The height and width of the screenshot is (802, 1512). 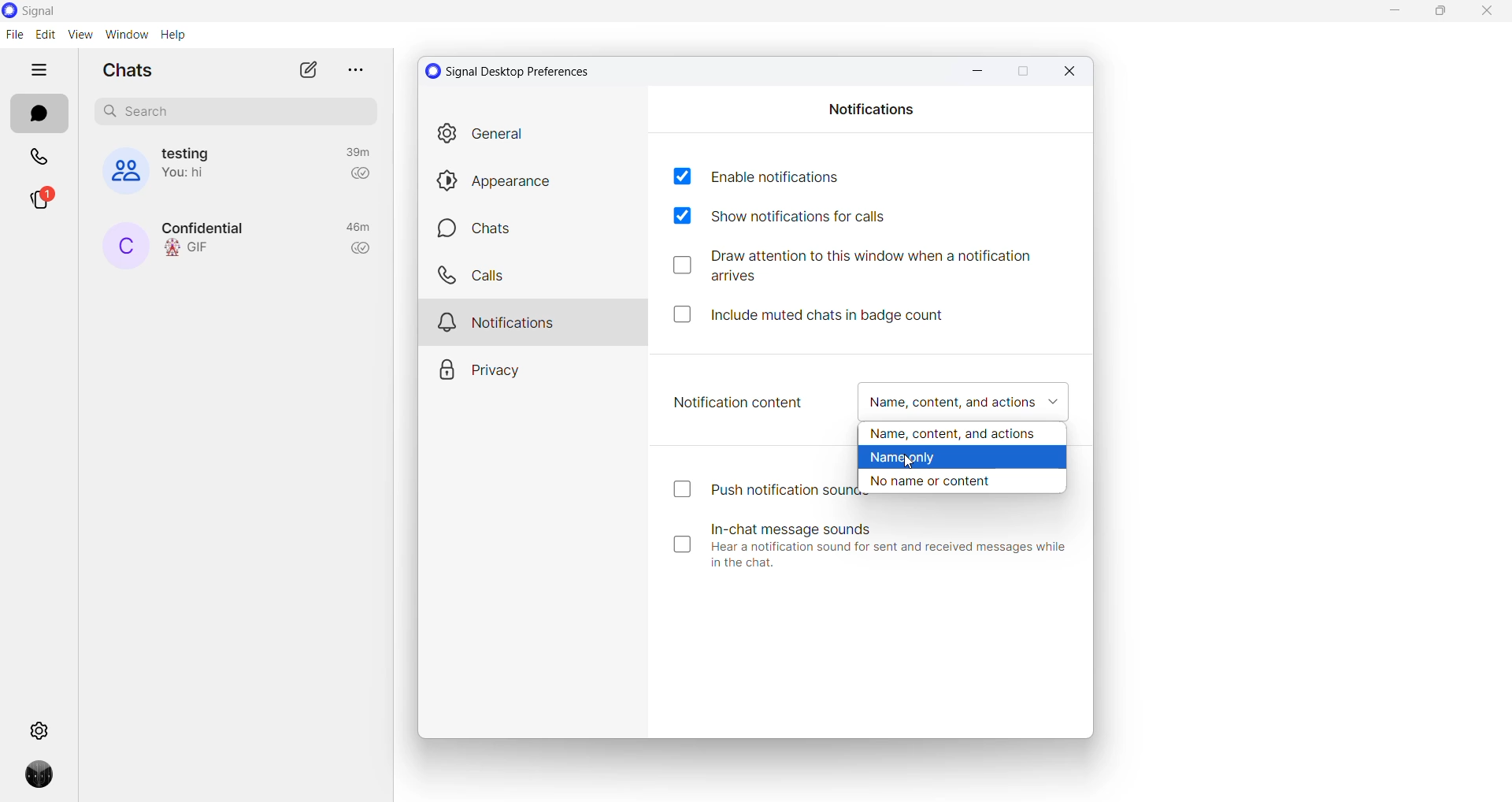 What do you see at coordinates (34, 780) in the screenshot?
I see `Profile` at bounding box center [34, 780].